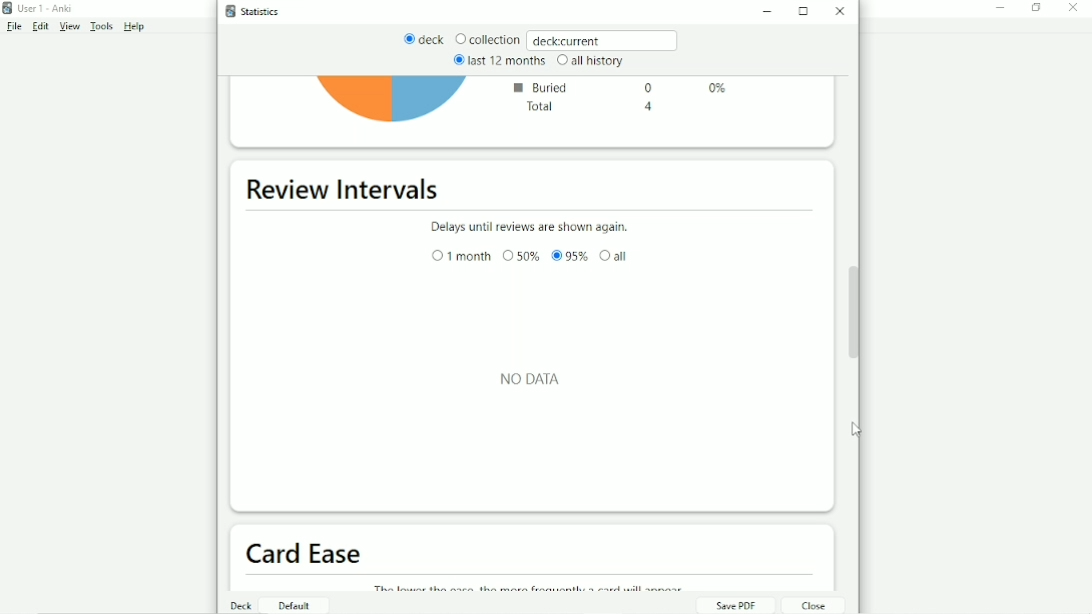 Image resolution: width=1092 pixels, height=614 pixels. What do you see at coordinates (1076, 8) in the screenshot?
I see `Close` at bounding box center [1076, 8].